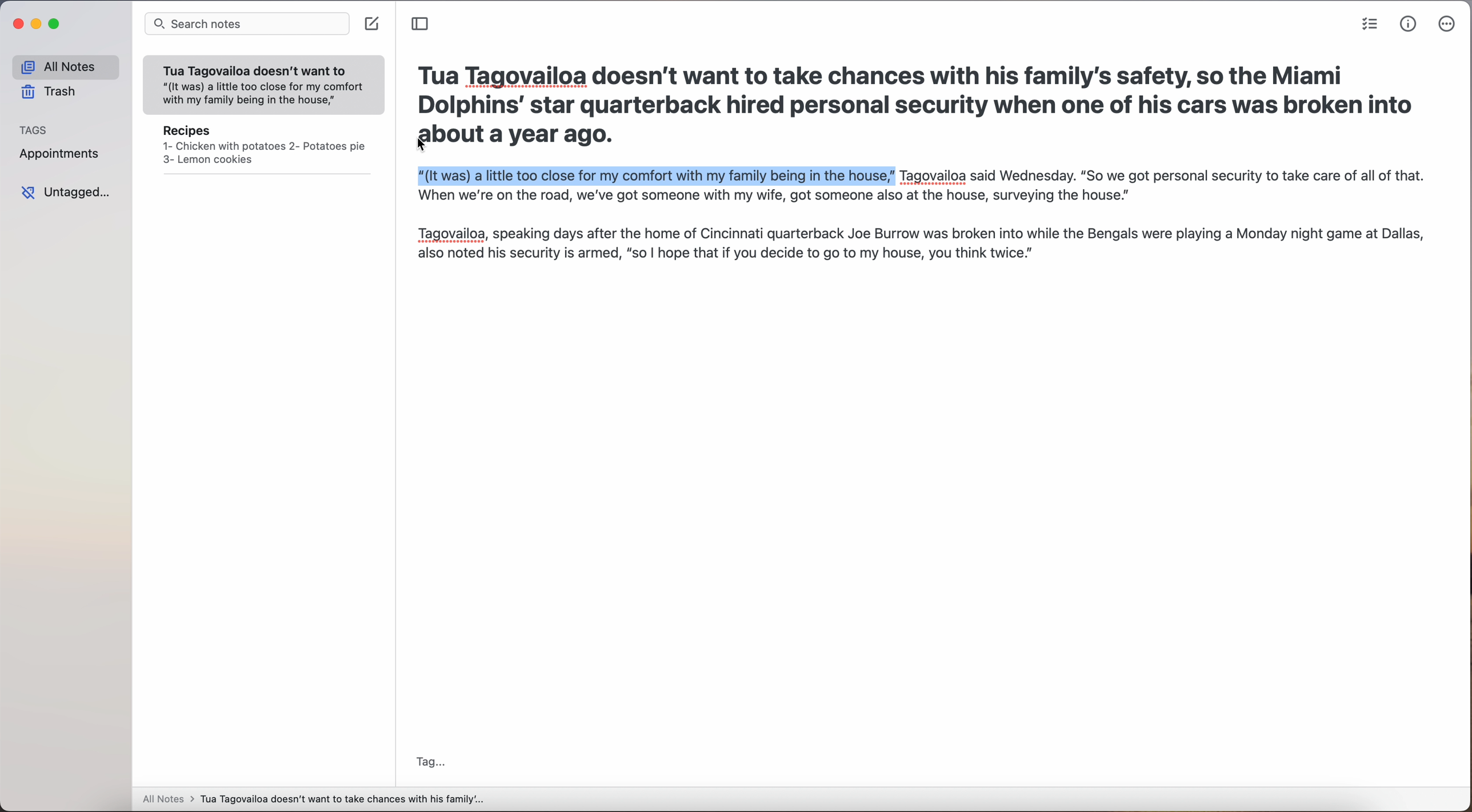 The width and height of the screenshot is (1472, 812). I want to click on toggle sidebar, so click(421, 24).